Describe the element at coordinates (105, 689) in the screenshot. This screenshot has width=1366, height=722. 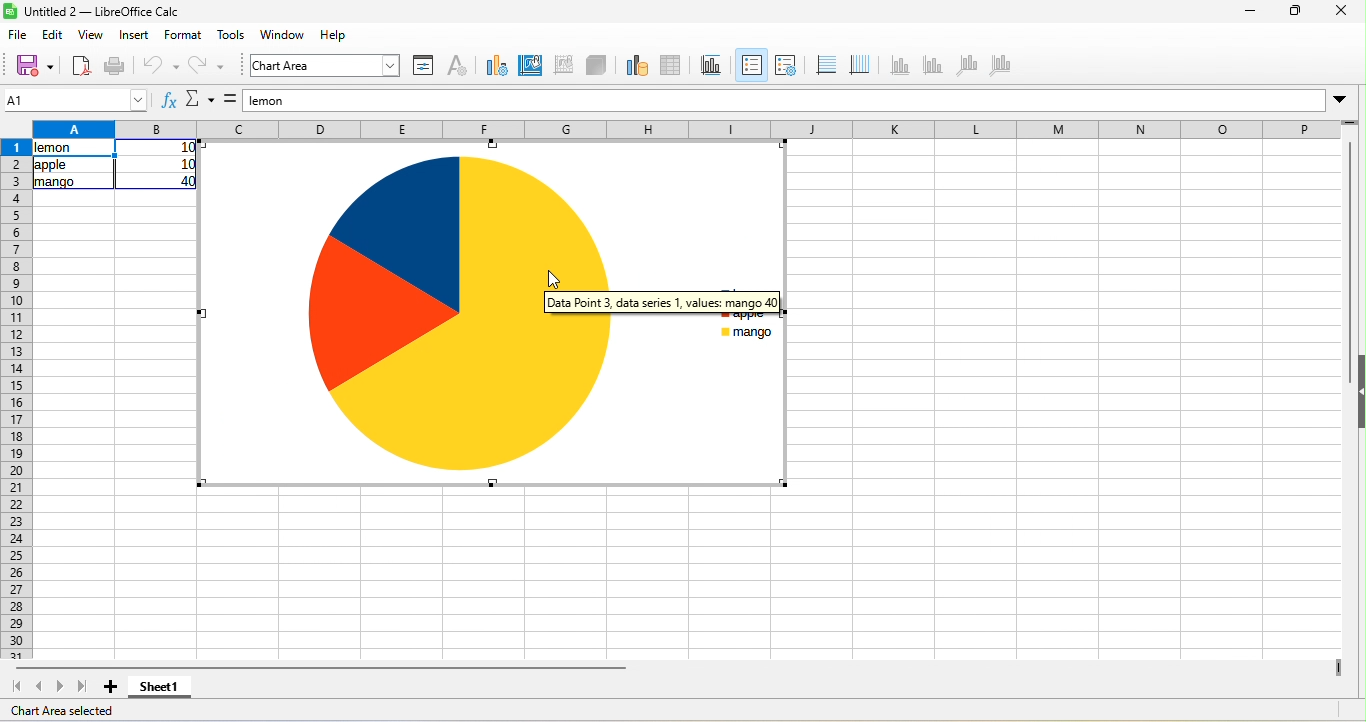
I see `add sheet` at that location.